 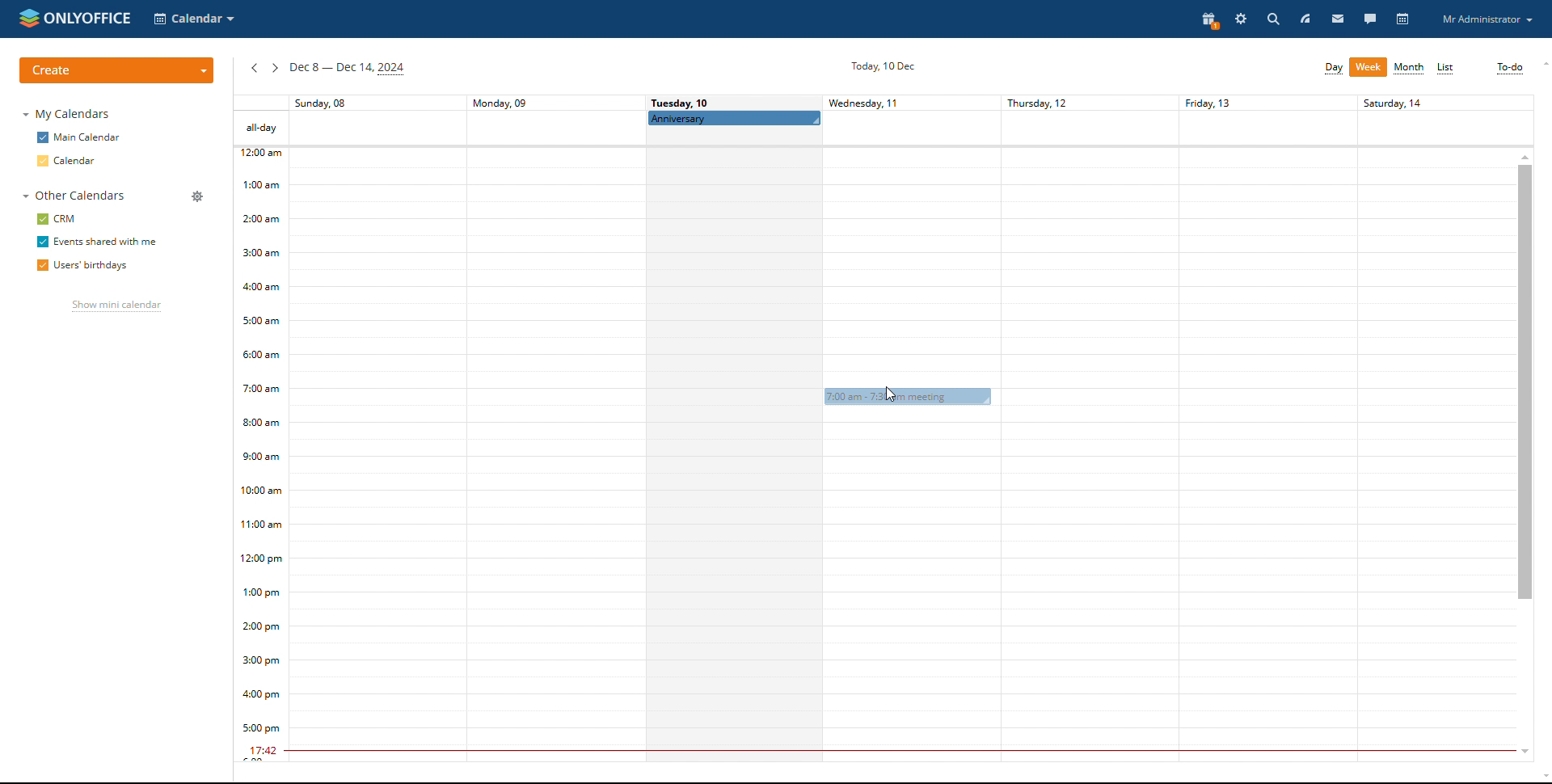 What do you see at coordinates (1211, 21) in the screenshot?
I see `present` at bounding box center [1211, 21].